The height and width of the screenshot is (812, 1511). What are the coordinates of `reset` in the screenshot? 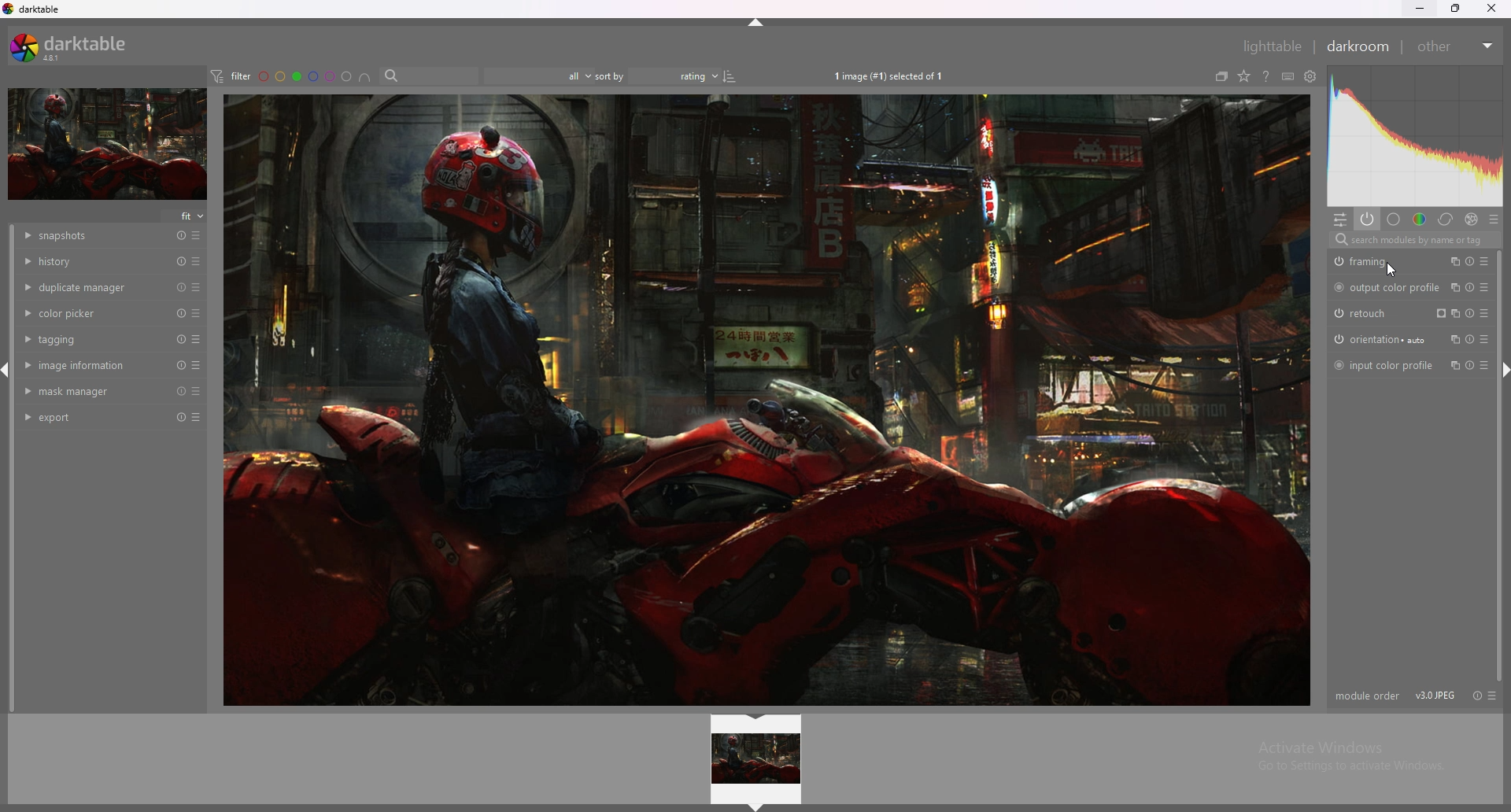 It's located at (181, 339).